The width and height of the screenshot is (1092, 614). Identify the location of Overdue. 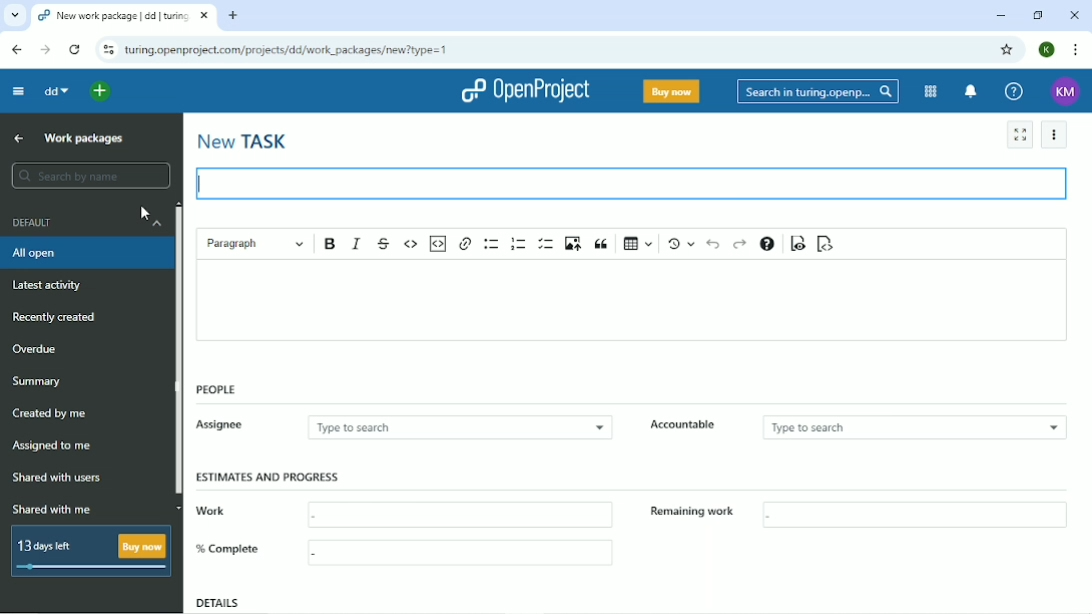
(34, 349).